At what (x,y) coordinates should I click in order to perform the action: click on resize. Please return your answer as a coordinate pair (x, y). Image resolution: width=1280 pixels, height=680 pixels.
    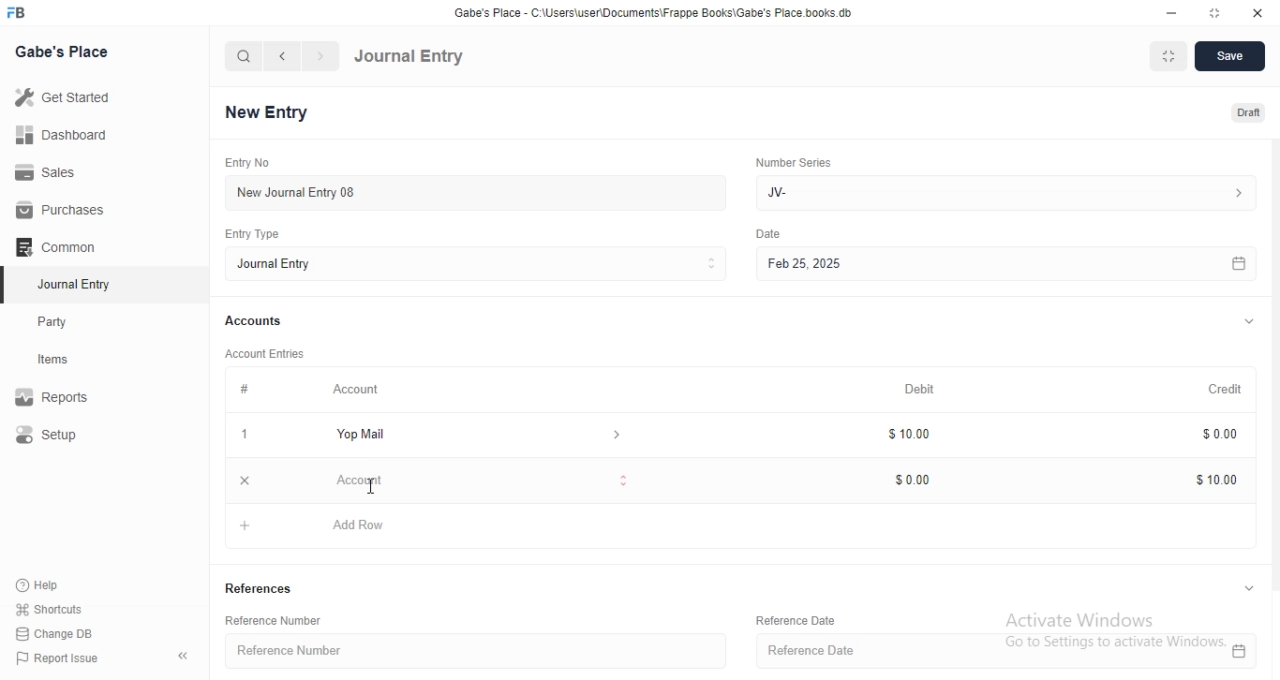
    Looking at the image, I should click on (1211, 12).